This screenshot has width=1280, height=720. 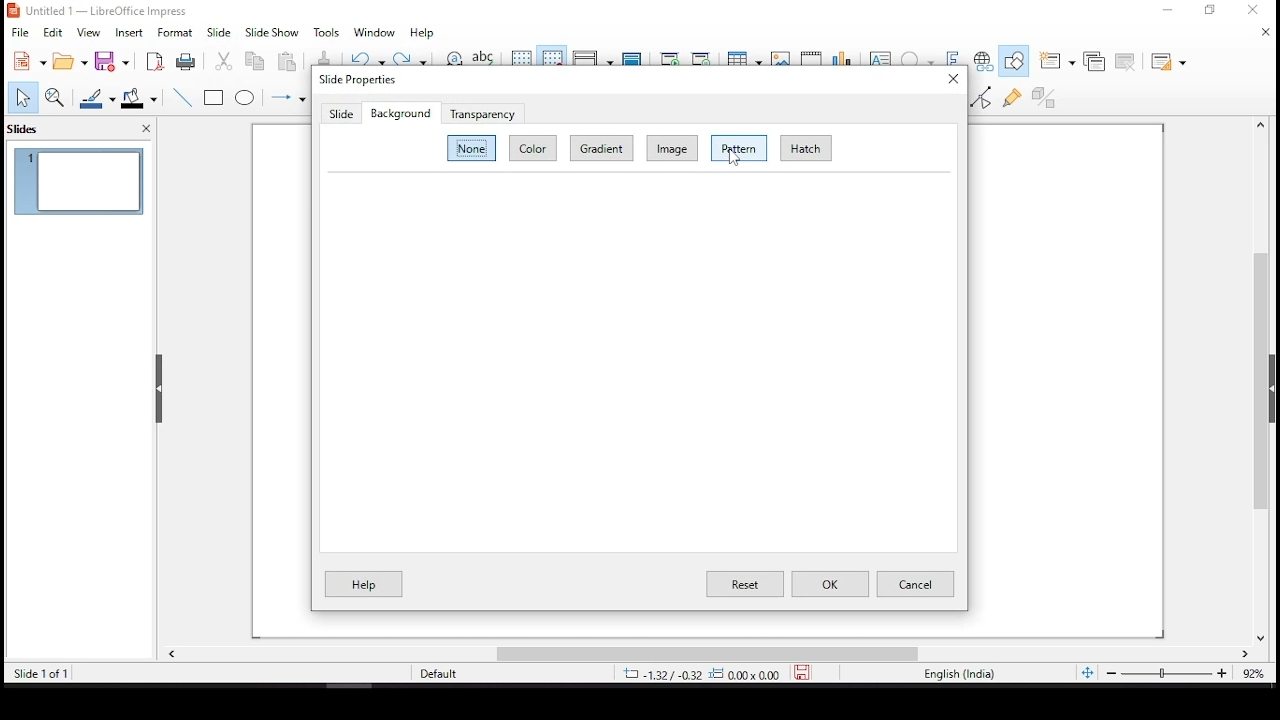 I want to click on new, so click(x=25, y=62).